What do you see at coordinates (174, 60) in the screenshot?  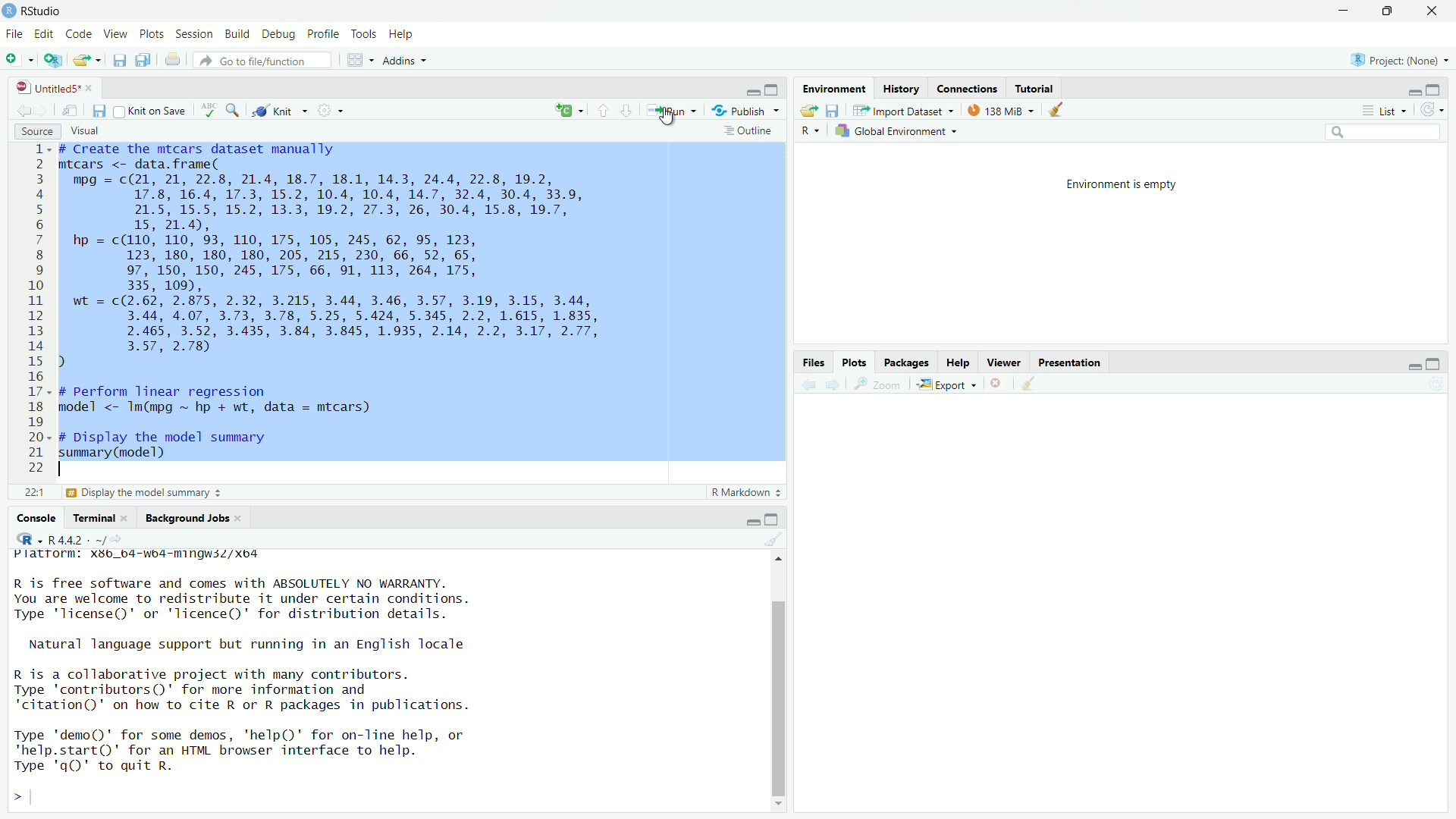 I see `print the current file` at bounding box center [174, 60].